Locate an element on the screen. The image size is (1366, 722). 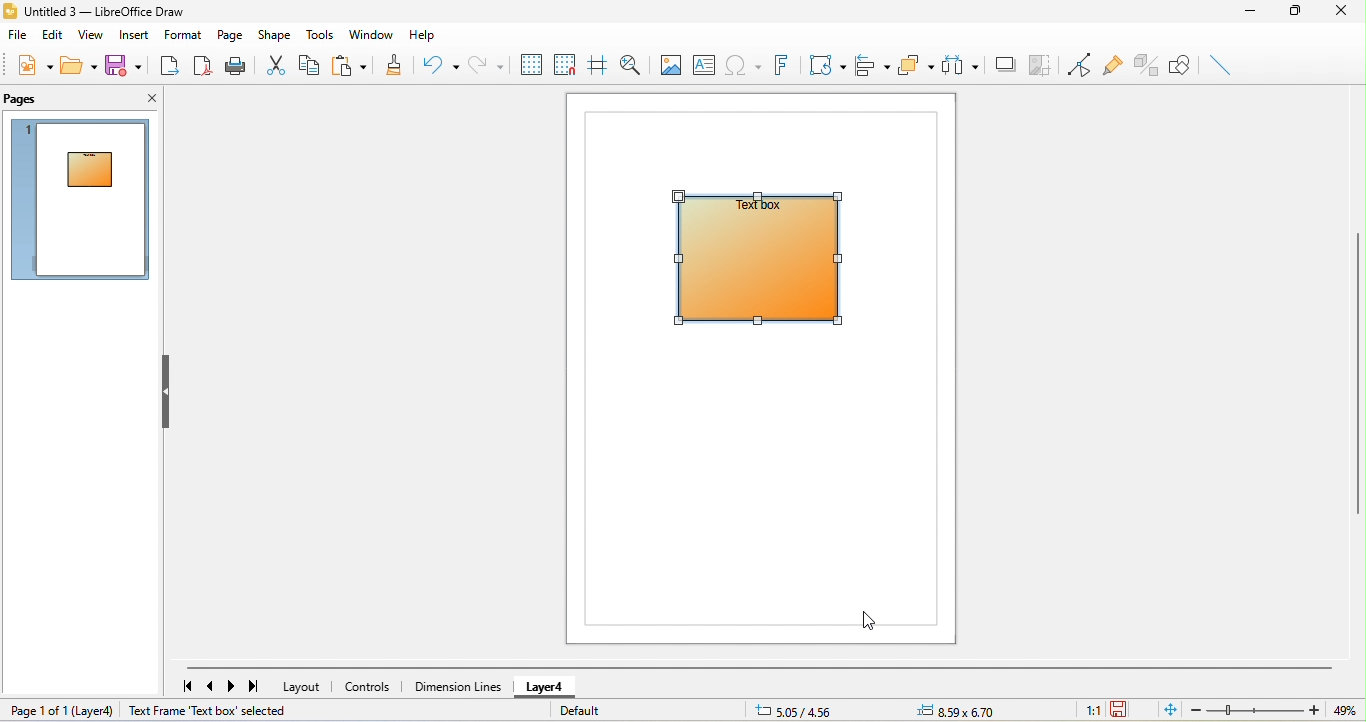
shadow is located at coordinates (1005, 63).